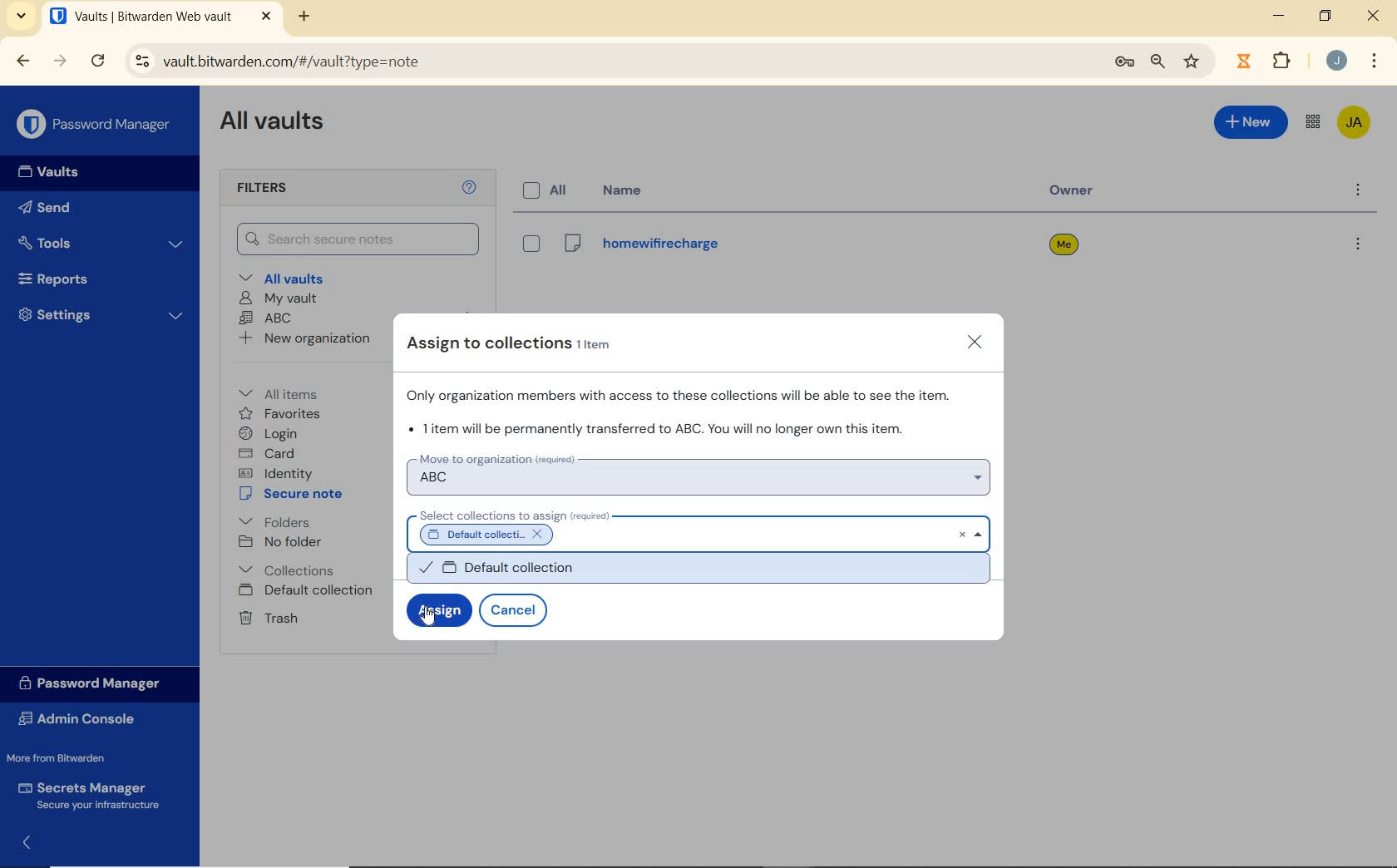 The height and width of the screenshot is (868, 1397). Describe the element at coordinates (97, 62) in the screenshot. I see `reload` at that location.